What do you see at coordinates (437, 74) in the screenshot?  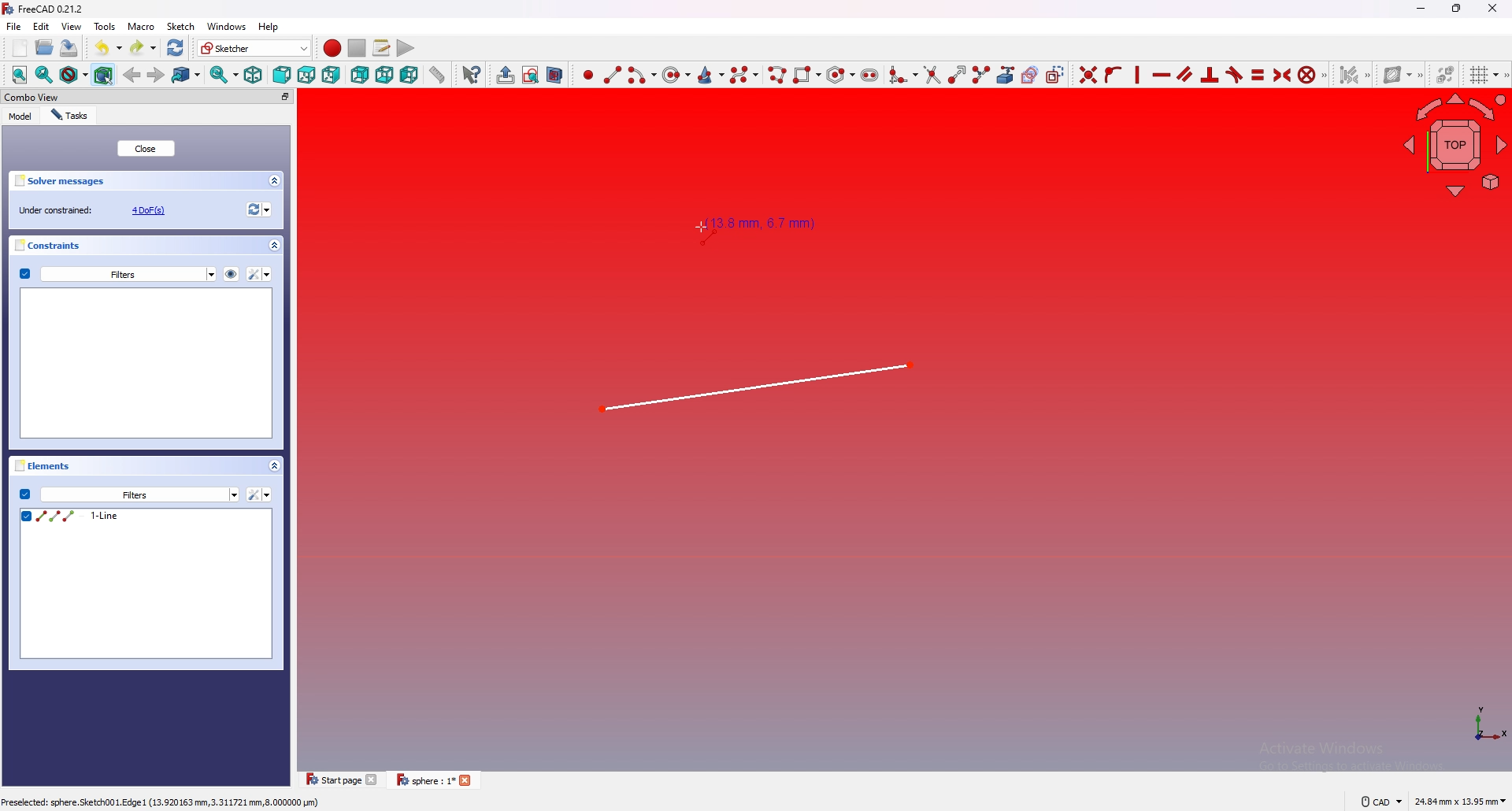 I see `Measure distance` at bounding box center [437, 74].